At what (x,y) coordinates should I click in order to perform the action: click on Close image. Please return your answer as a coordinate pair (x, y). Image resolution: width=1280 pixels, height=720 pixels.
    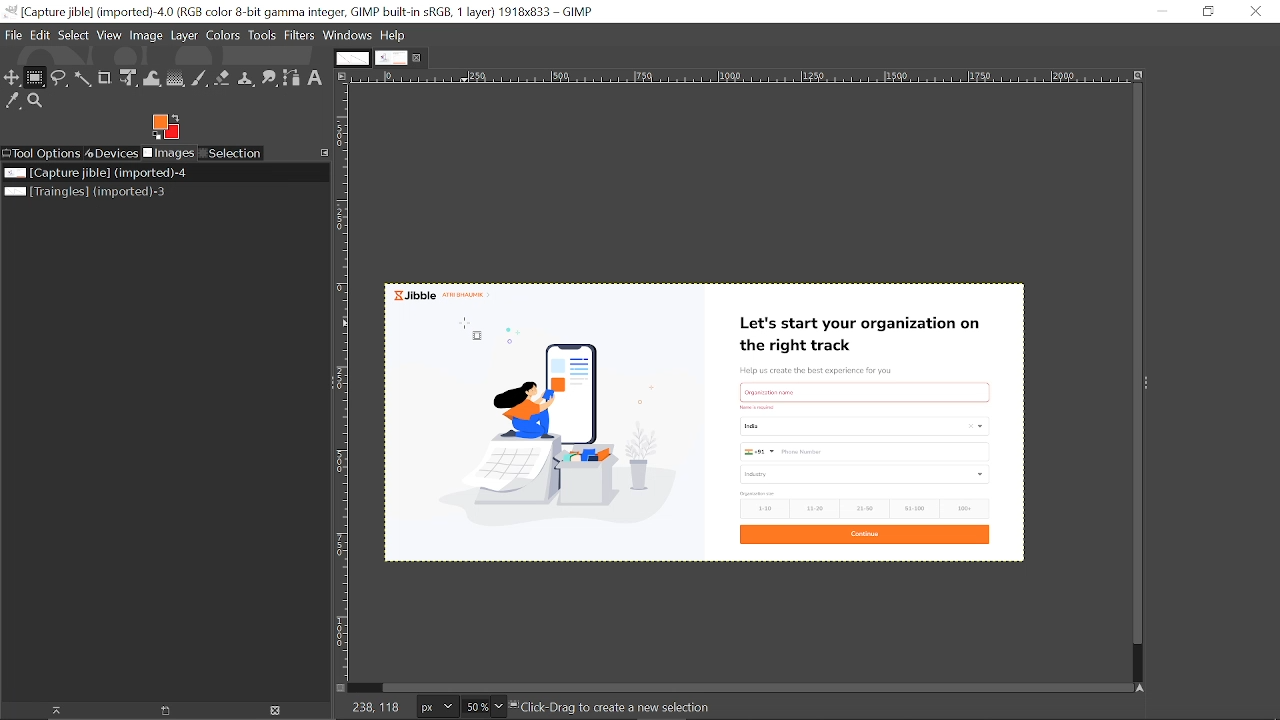
    Looking at the image, I should click on (278, 710).